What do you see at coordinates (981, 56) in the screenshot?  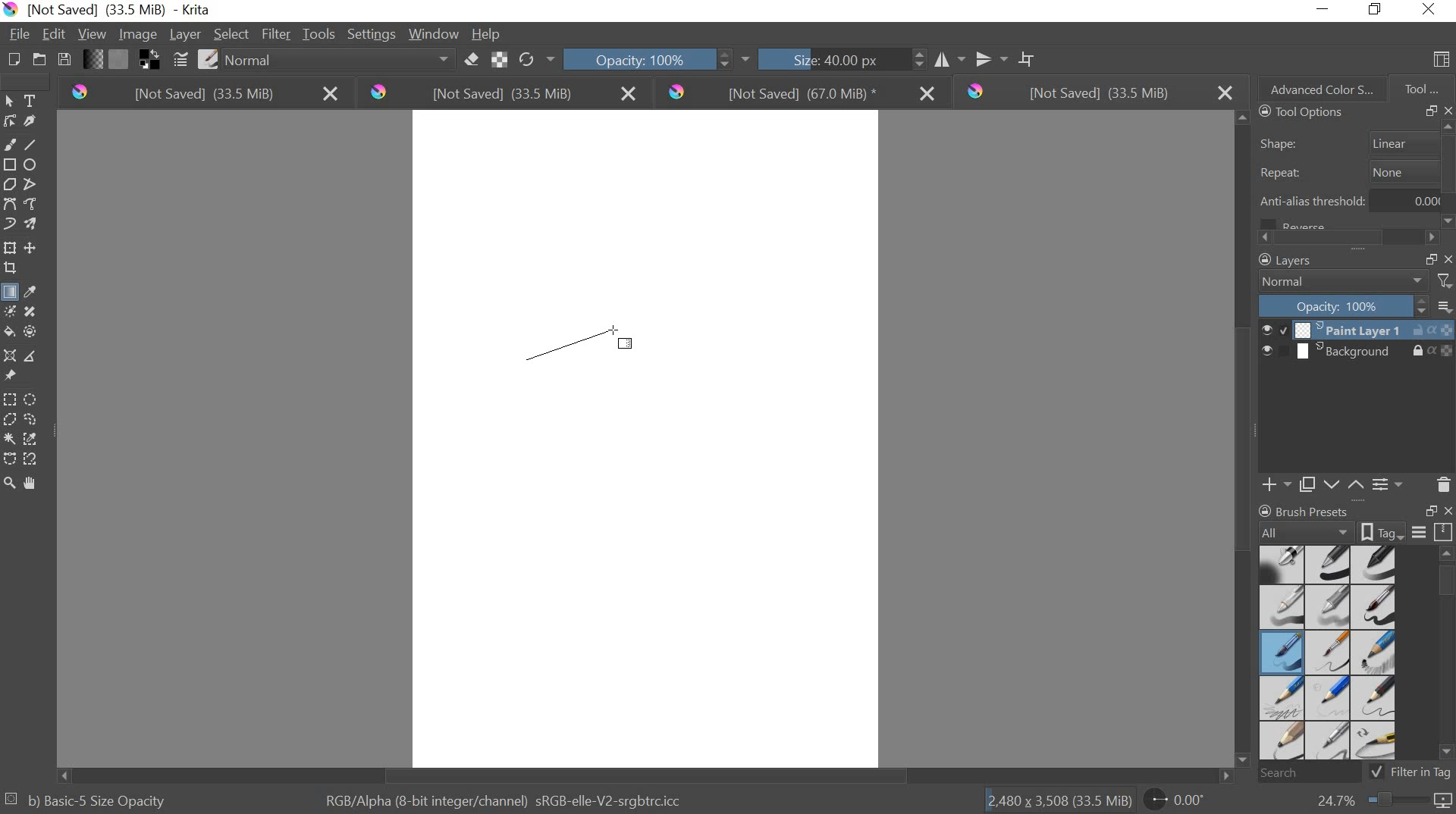 I see `VERTICAL MIRROR TOOL` at bounding box center [981, 56].